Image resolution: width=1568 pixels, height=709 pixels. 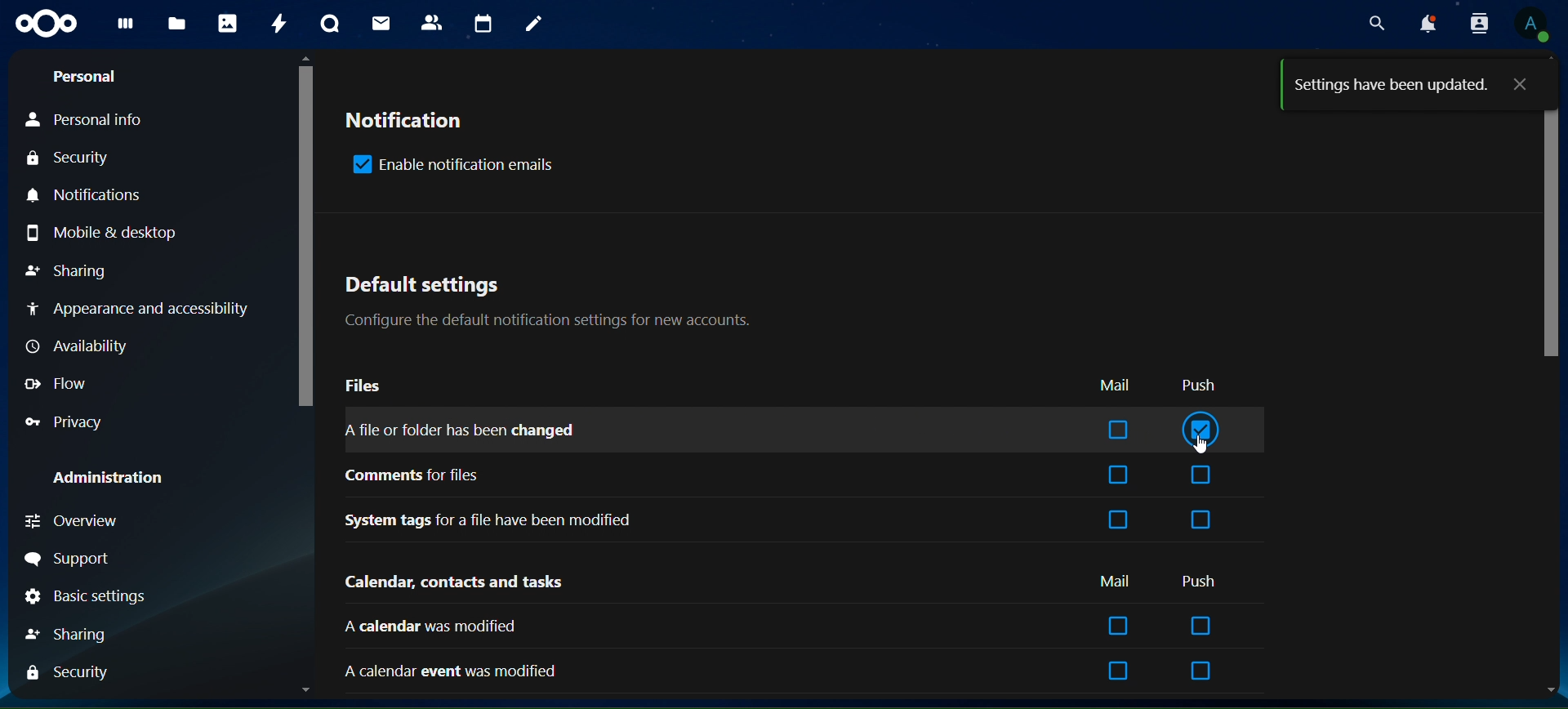 I want to click on security, so click(x=64, y=153).